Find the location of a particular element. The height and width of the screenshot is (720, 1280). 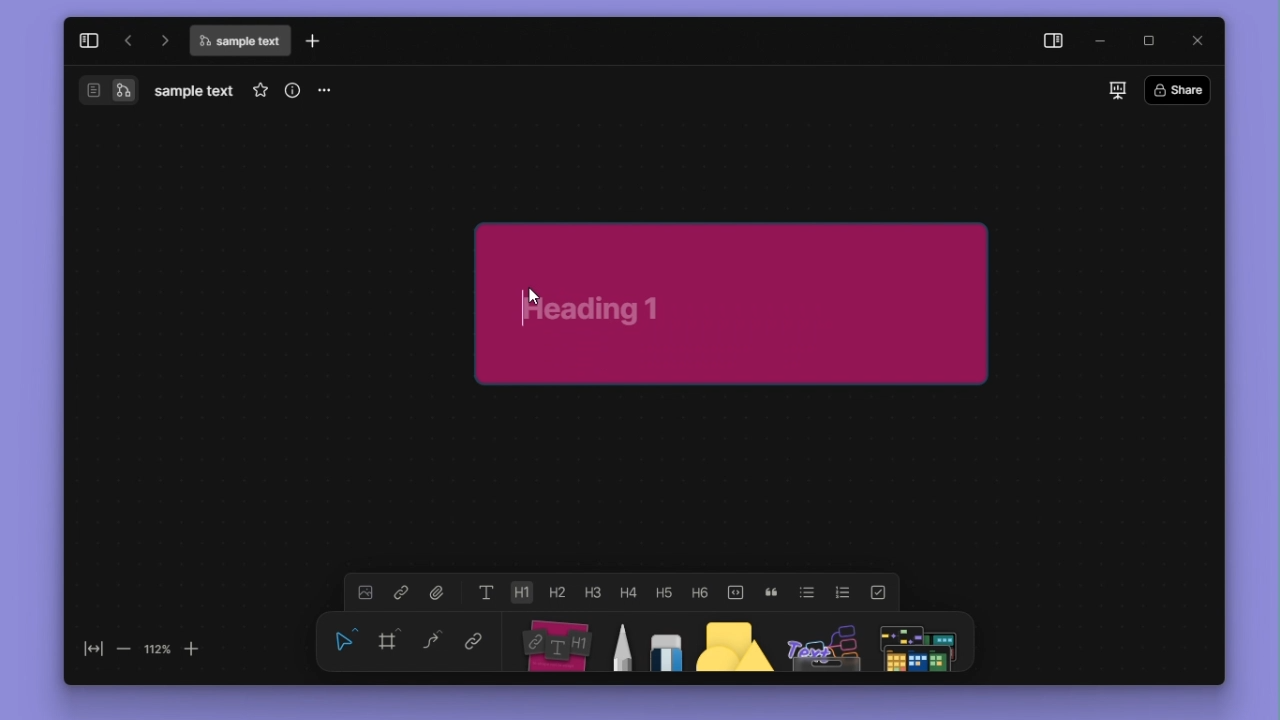

more is located at coordinates (322, 92).